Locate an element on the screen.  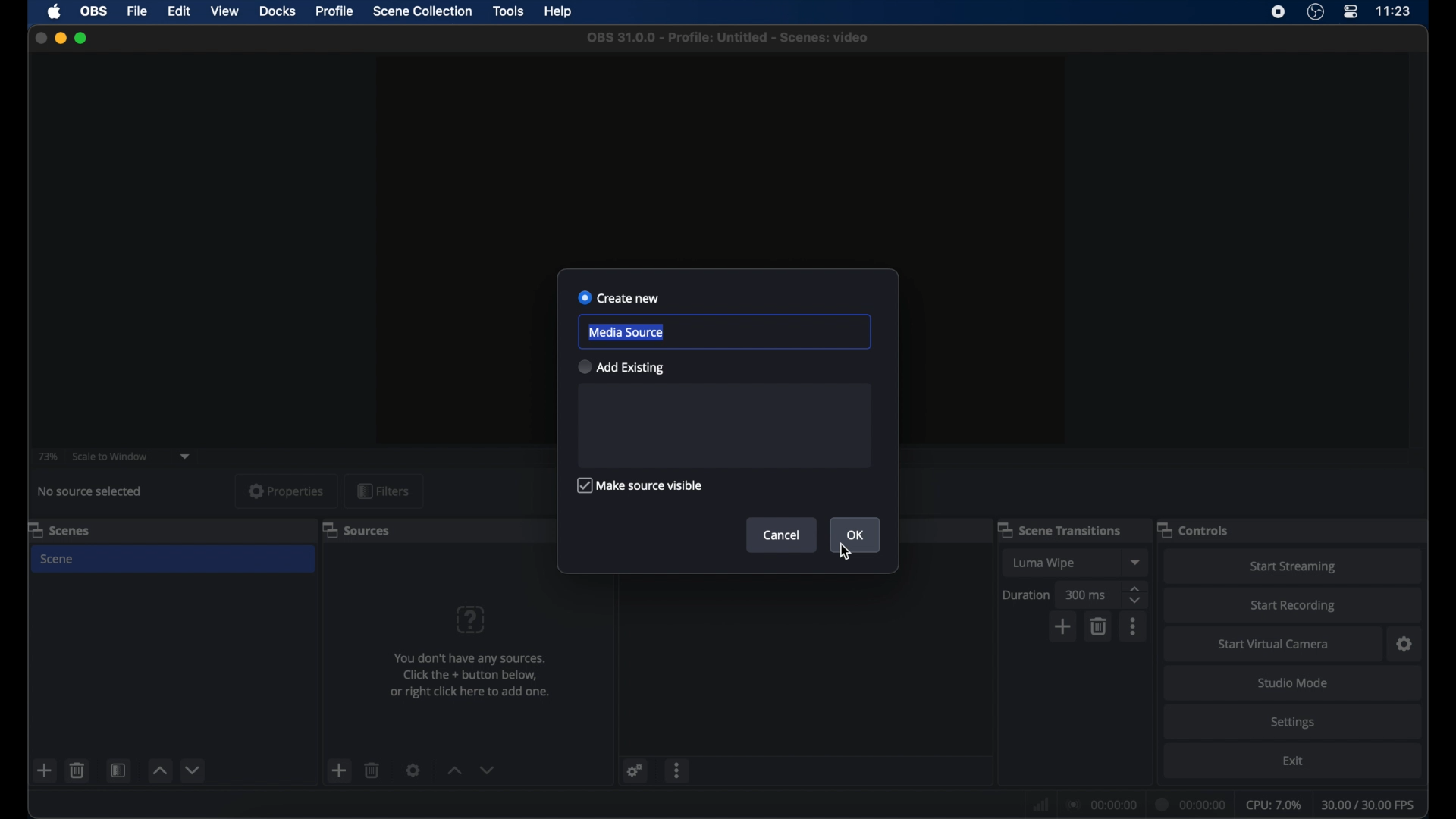
file name is located at coordinates (729, 38).